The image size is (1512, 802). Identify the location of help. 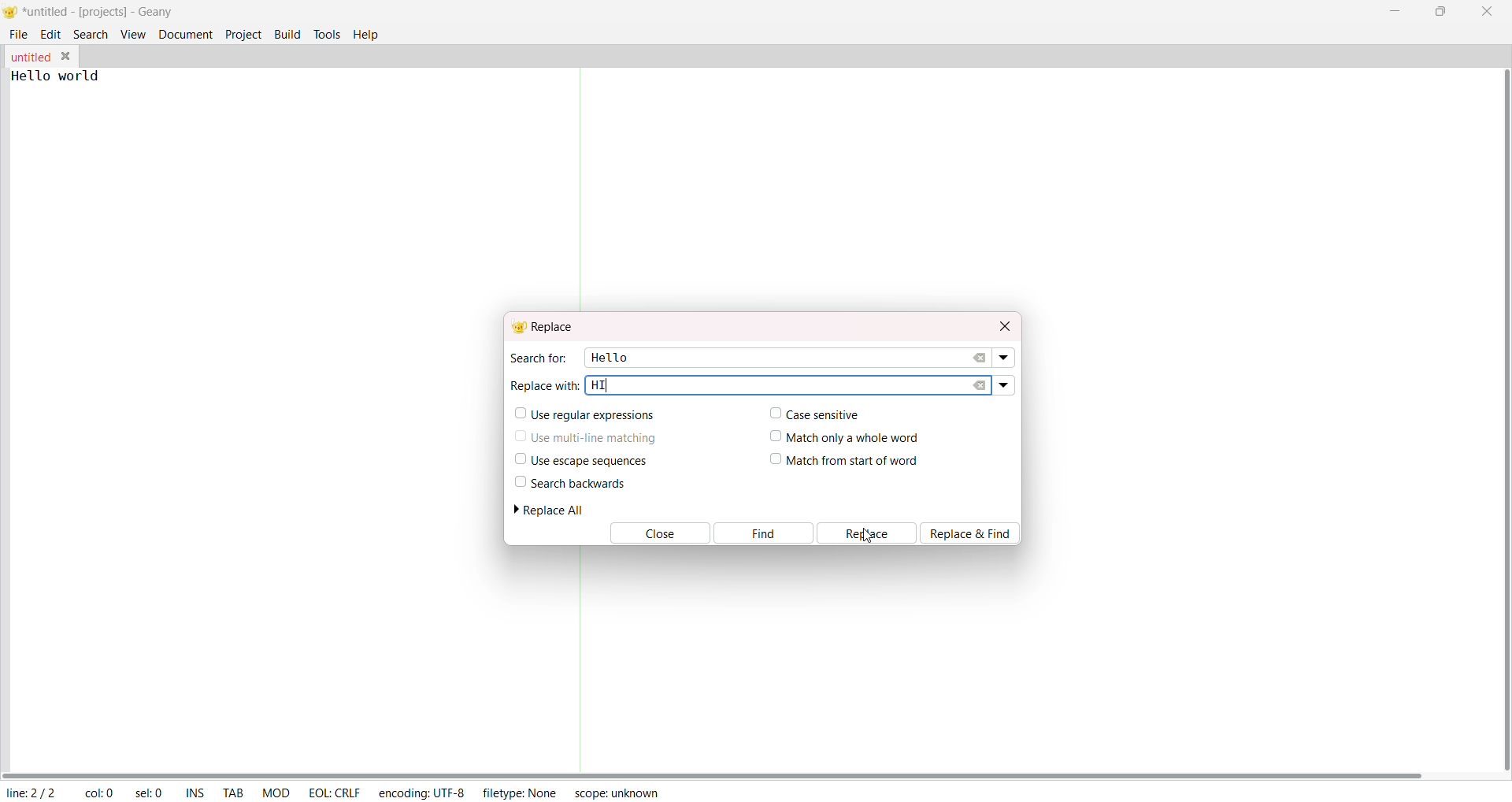
(370, 33).